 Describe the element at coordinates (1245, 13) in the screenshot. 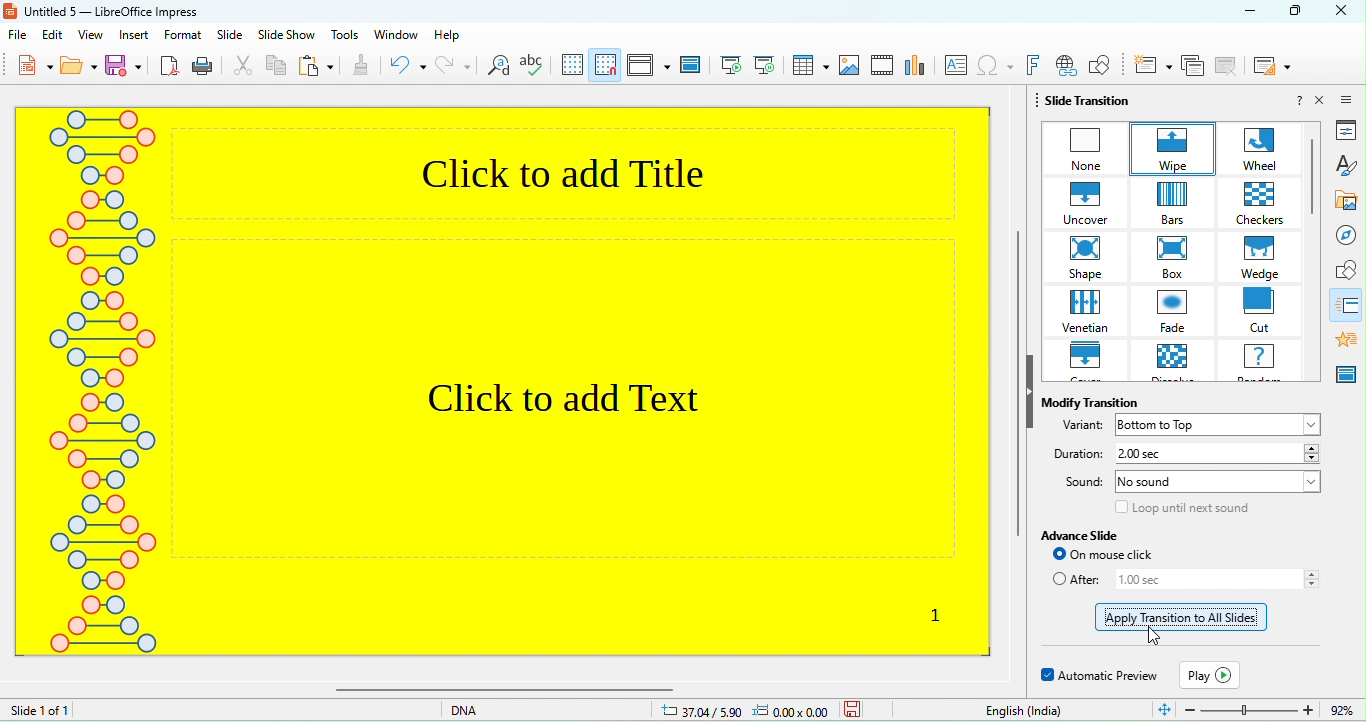

I see `minimize` at that location.